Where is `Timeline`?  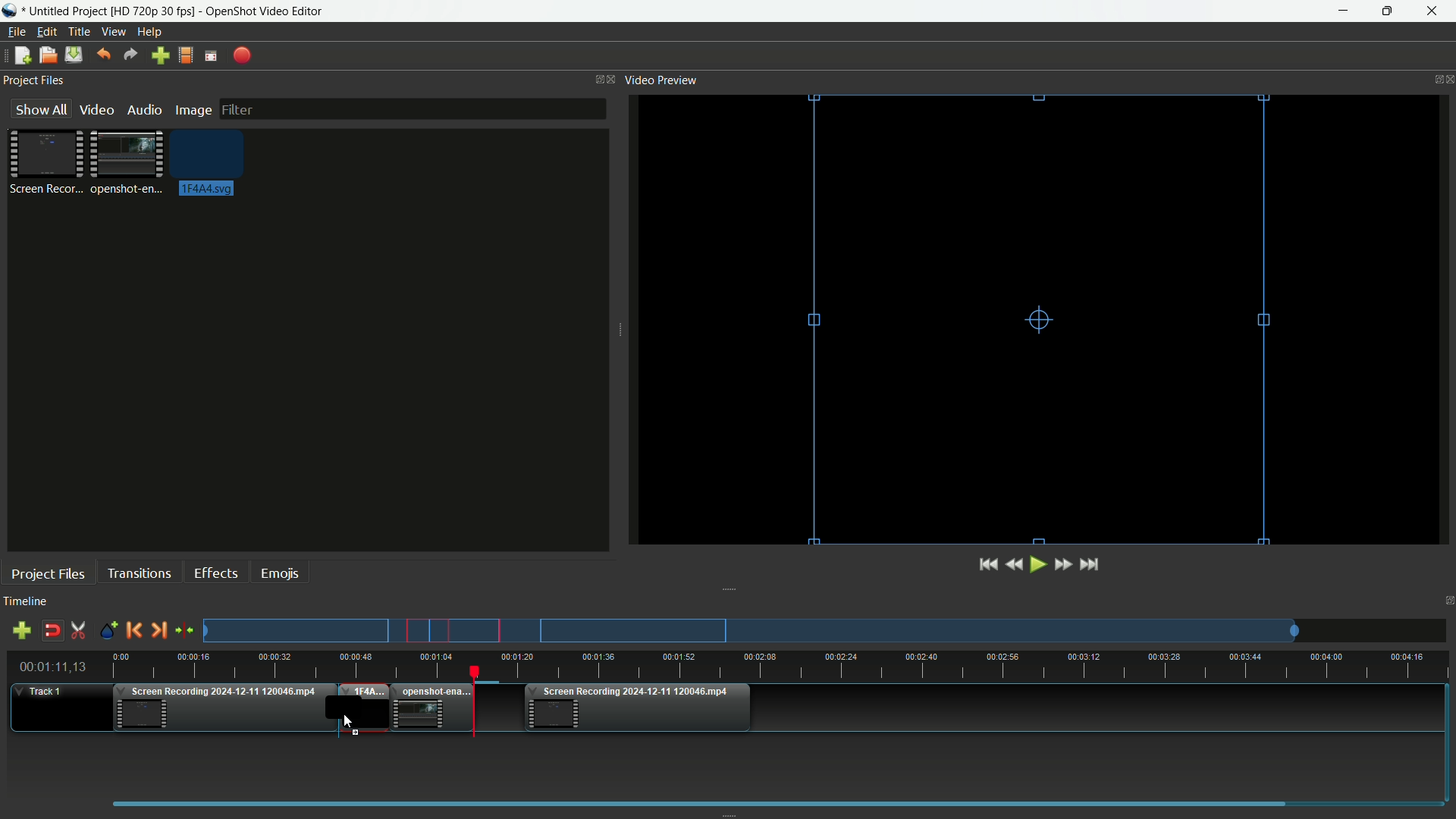 Timeline is located at coordinates (25, 602).